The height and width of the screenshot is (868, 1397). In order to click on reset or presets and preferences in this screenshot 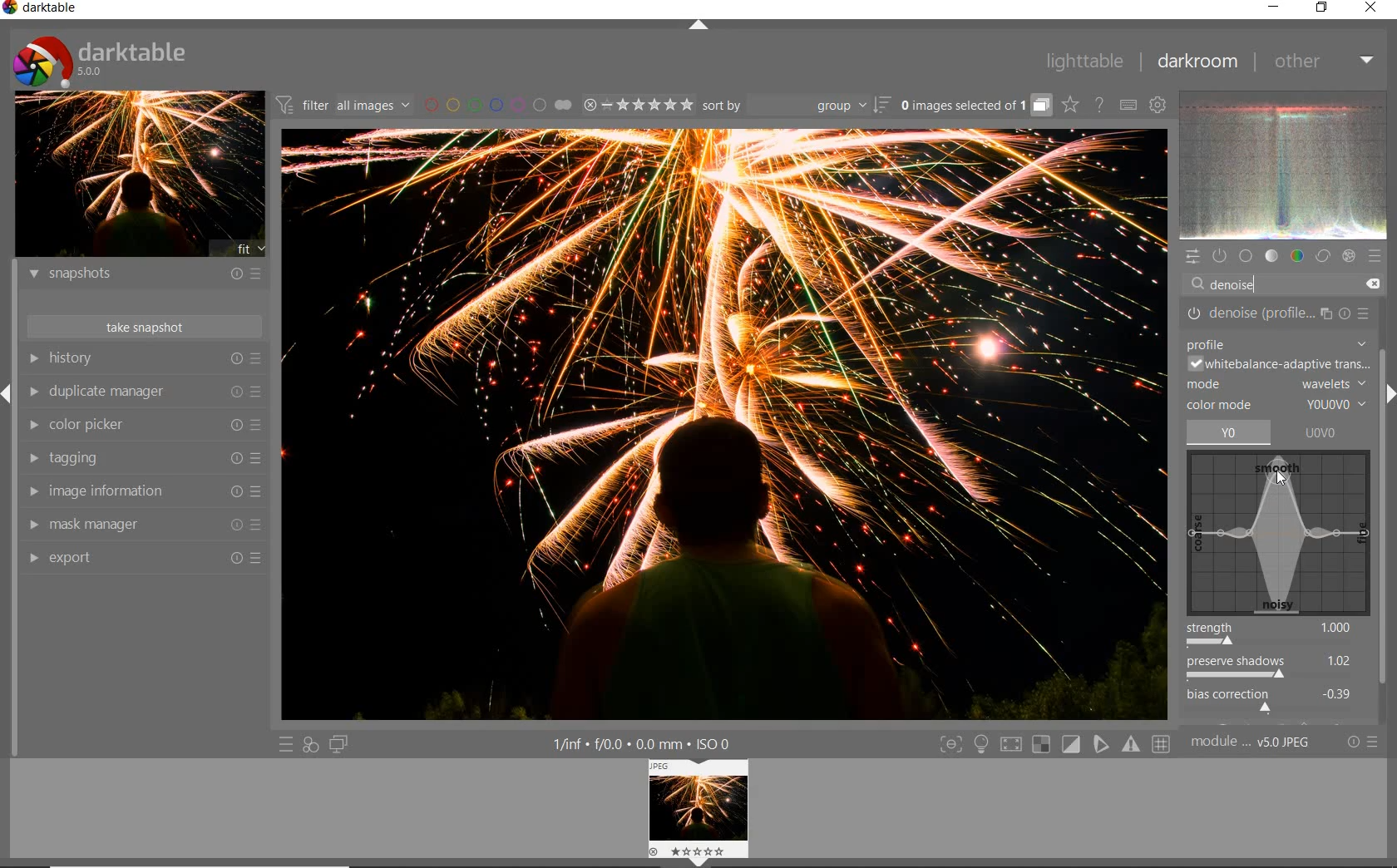, I will do `click(1365, 743)`.